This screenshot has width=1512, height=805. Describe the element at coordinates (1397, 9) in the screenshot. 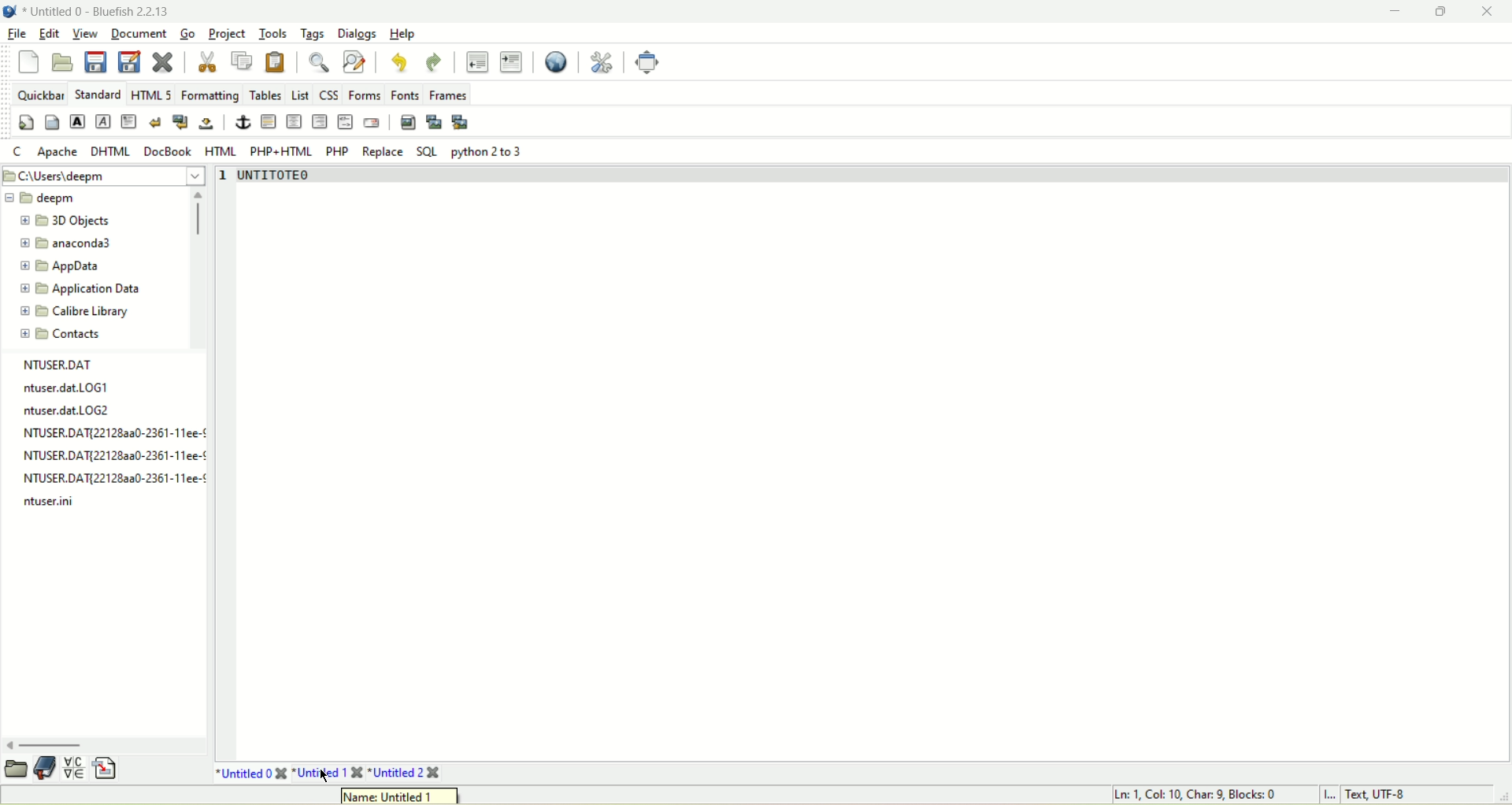

I see `minimize` at that location.